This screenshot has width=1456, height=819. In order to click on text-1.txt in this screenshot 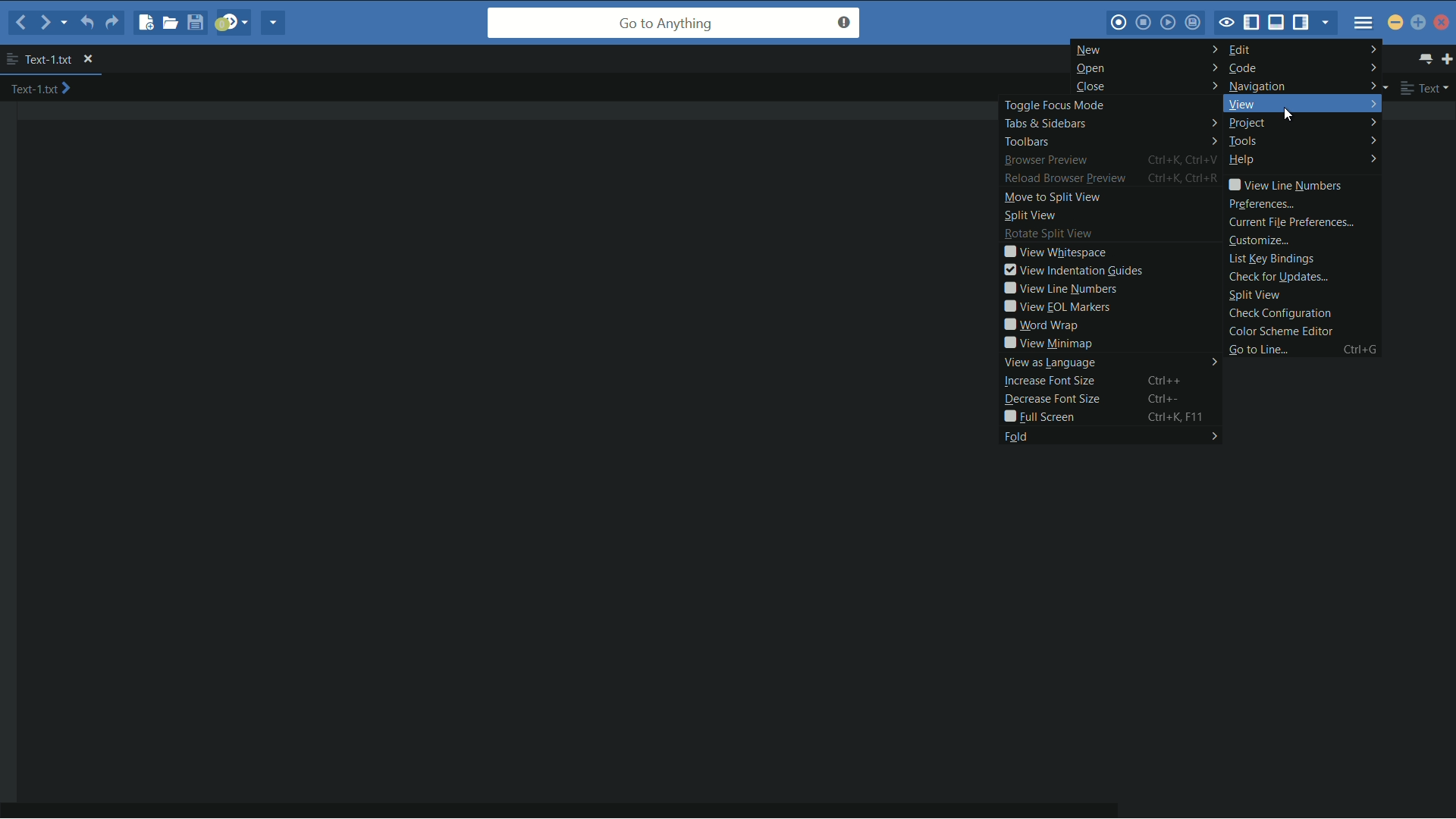, I will do `click(47, 89)`.